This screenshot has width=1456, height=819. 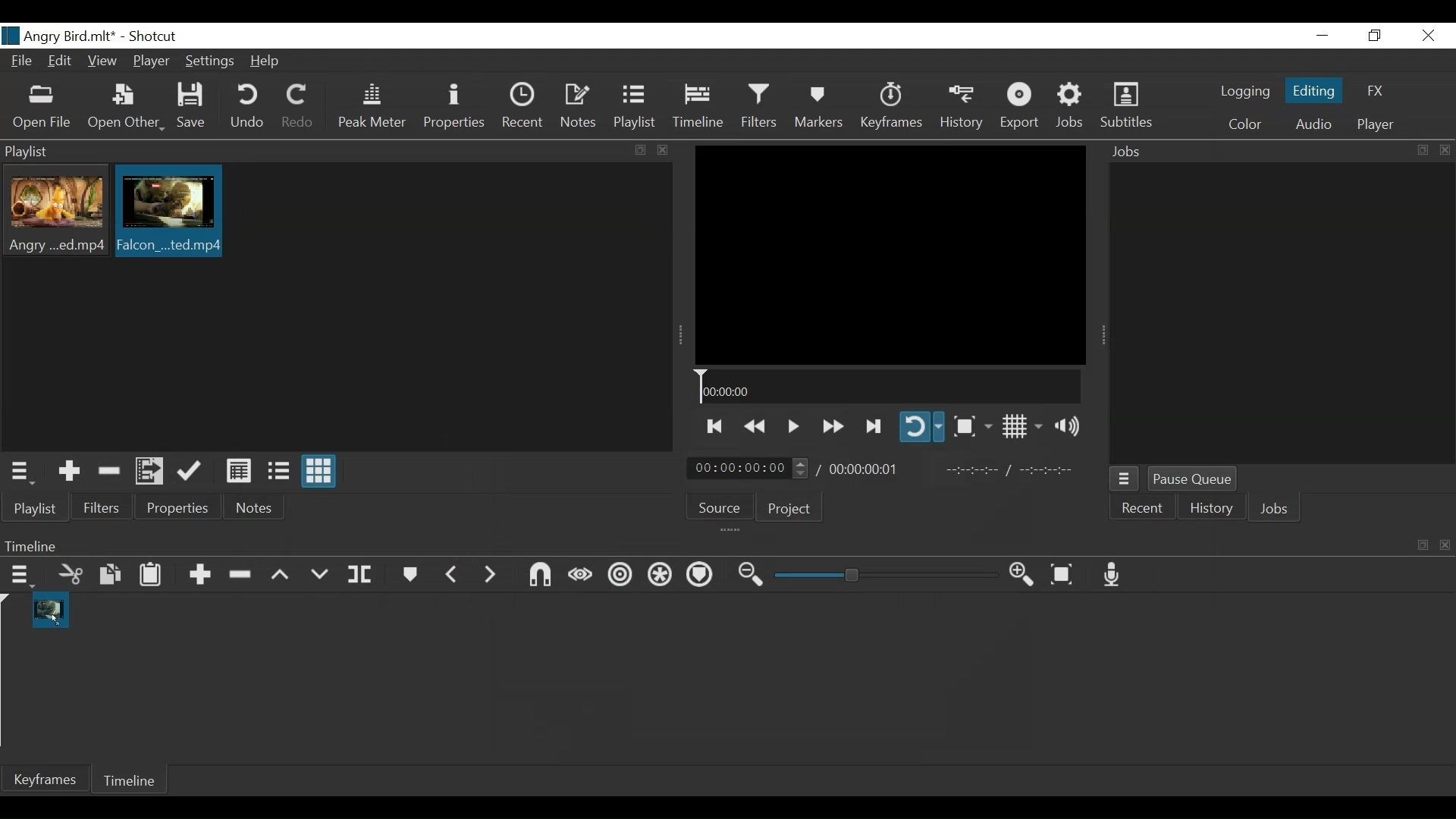 What do you see at coordinates (62, 62) in the screenshot?
I see `Edit` at bounding box center [62, 62].